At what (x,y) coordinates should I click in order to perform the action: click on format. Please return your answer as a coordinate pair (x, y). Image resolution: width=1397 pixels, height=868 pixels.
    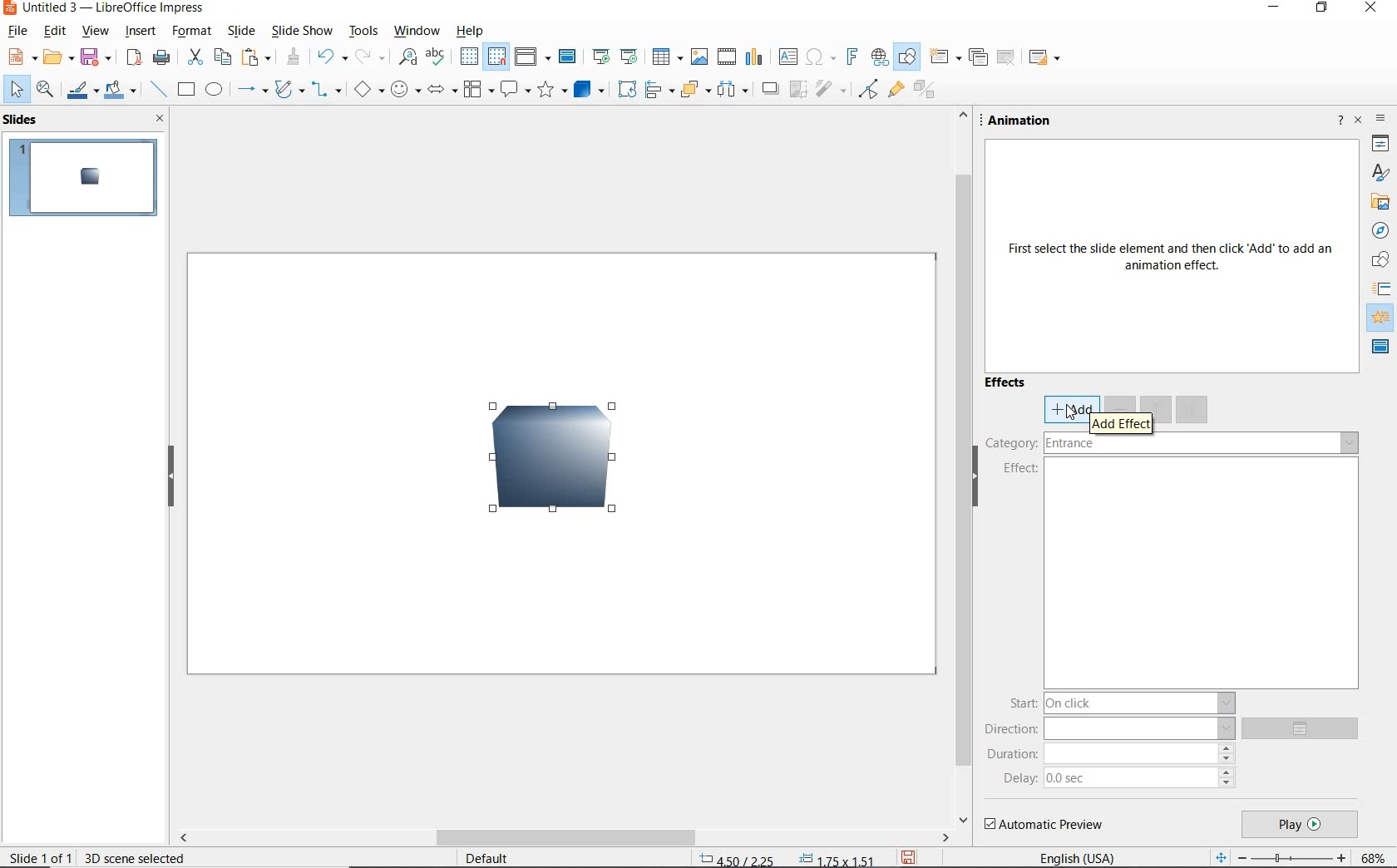
    Looking at the image, I should click on (190, 31).